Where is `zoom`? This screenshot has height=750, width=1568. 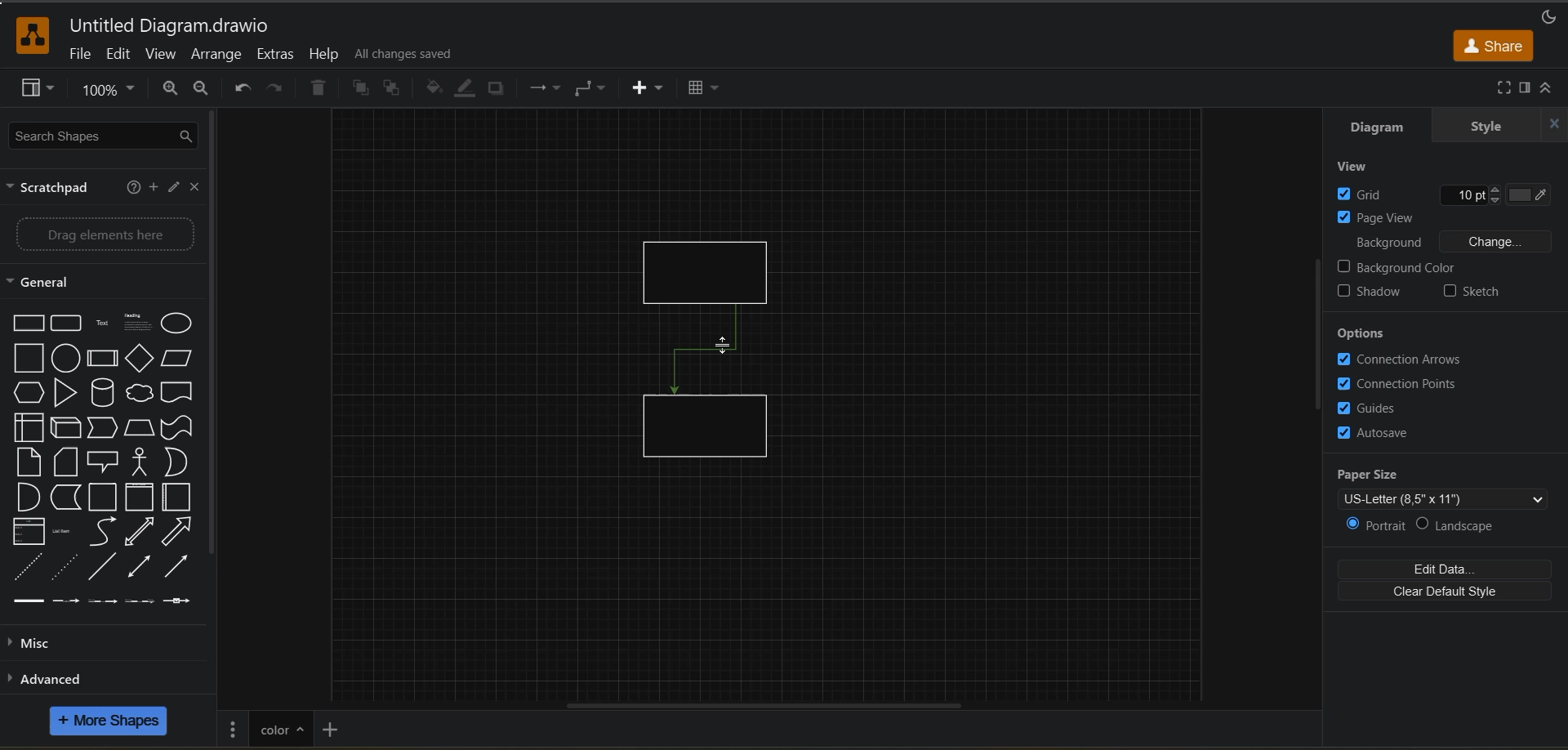
zoom is located at coordinates (112, 93).